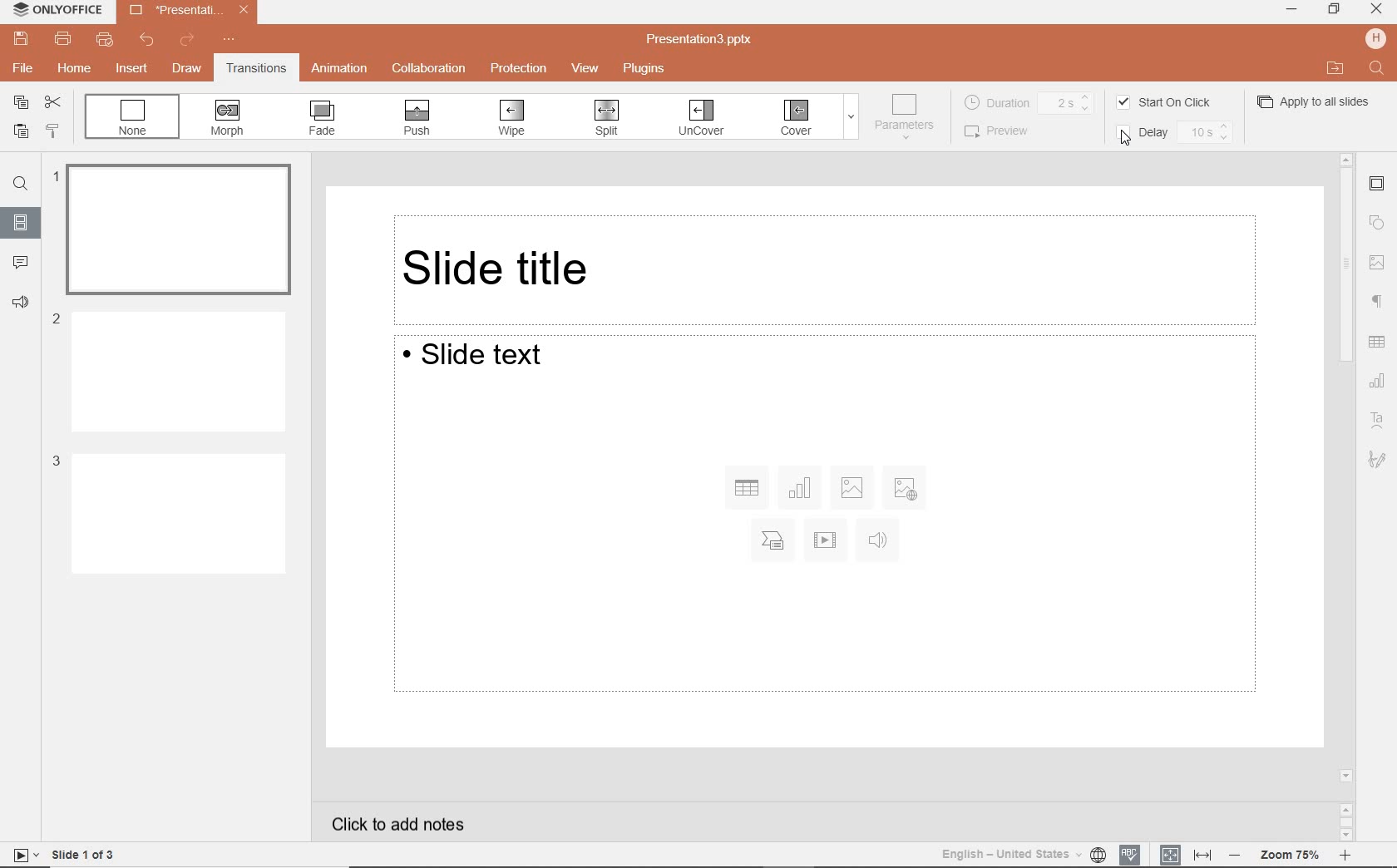 The height and width of the screenshot is (868, 1397). Describe the element at coordinates (61, 855) in the screenshot. I see `slide 1 of 3` at that location.